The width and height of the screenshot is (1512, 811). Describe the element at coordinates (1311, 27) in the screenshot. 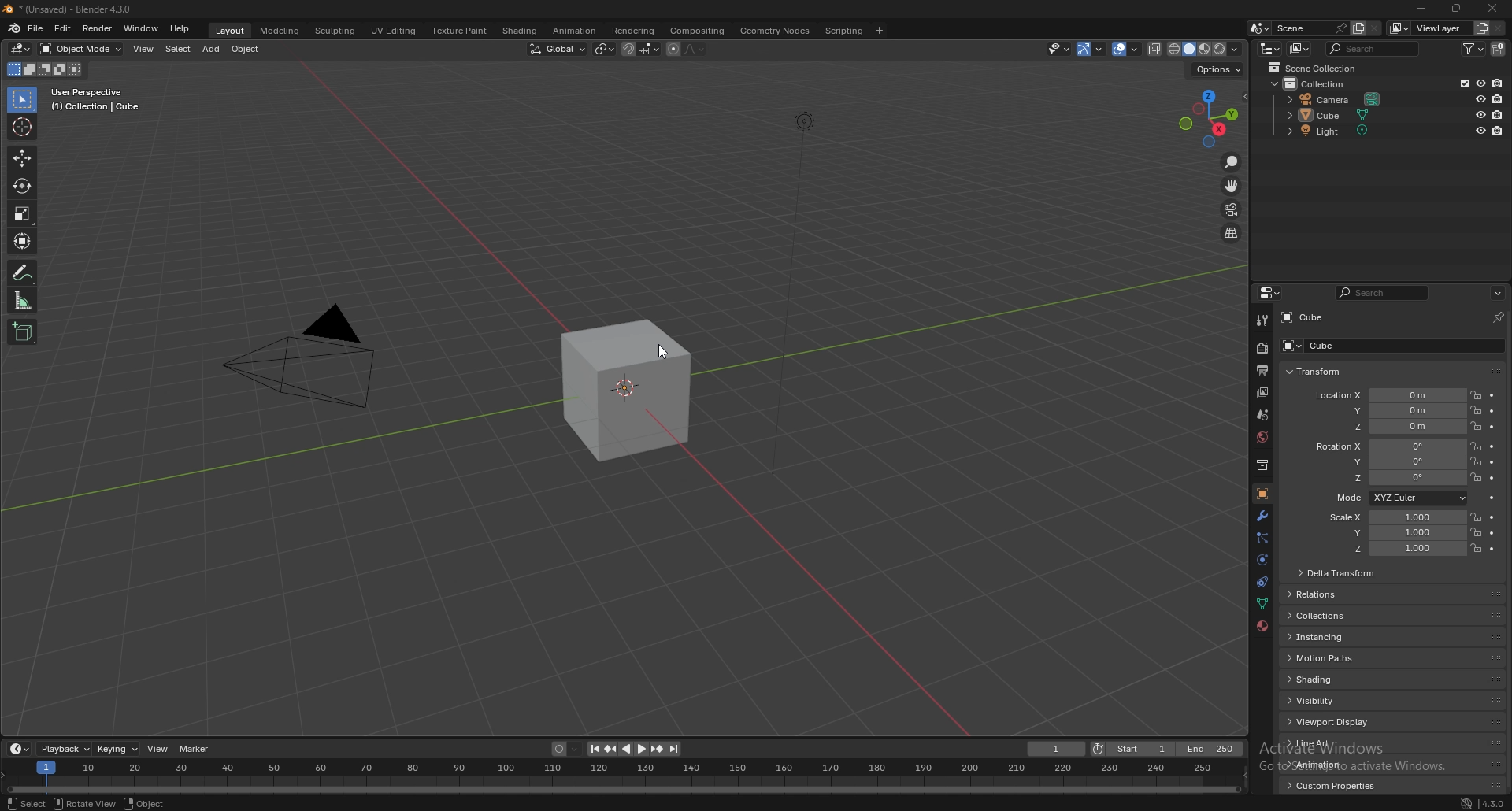

I see `scene` at that location.